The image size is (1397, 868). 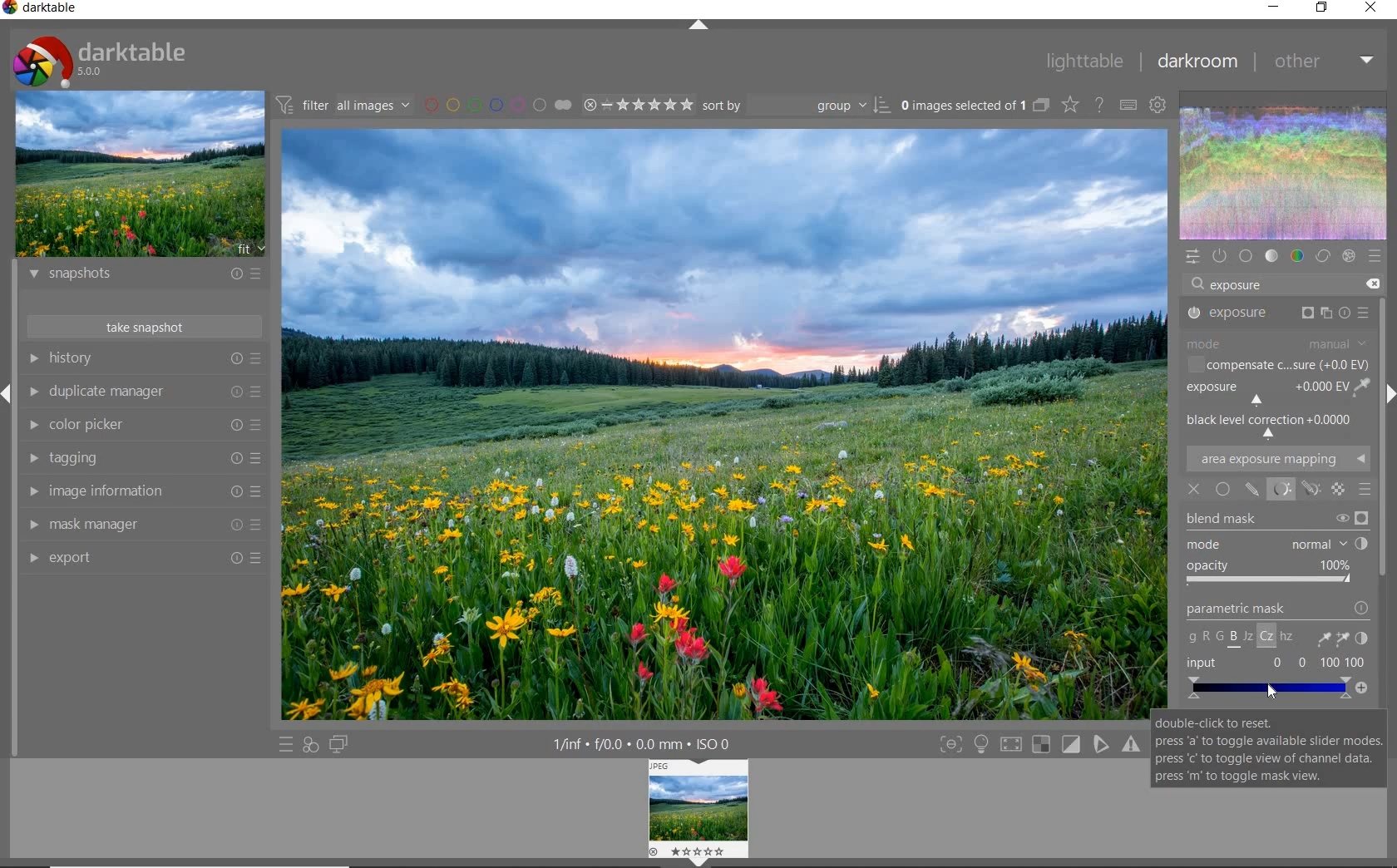 I want to click on quick access for applying any of your styles, so click(x=309, y=746).